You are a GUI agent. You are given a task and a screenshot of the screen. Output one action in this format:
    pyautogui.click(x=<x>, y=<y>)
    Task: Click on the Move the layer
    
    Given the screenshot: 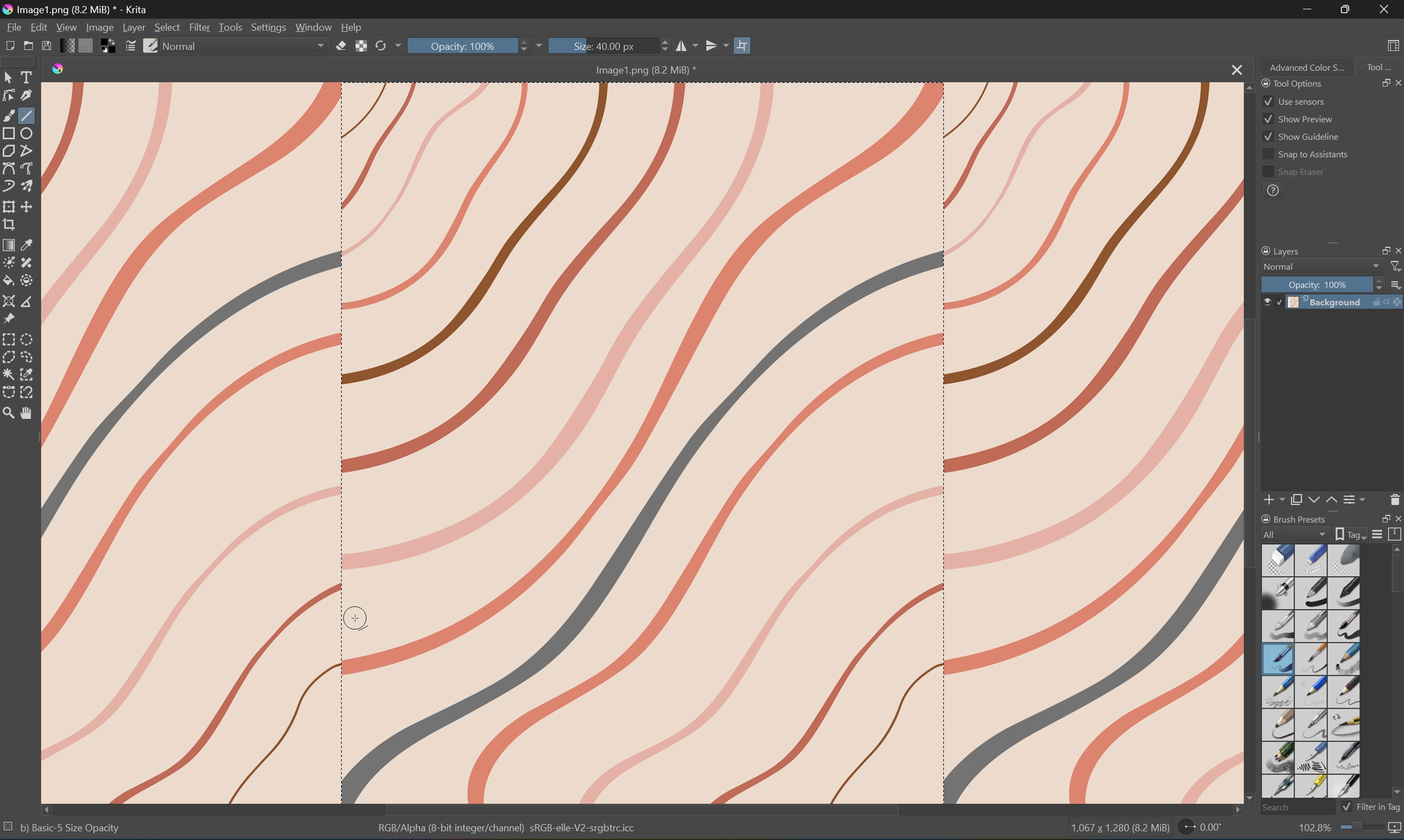 What is the action you would take?
    pyautogui.click(x=29, y=207)
    